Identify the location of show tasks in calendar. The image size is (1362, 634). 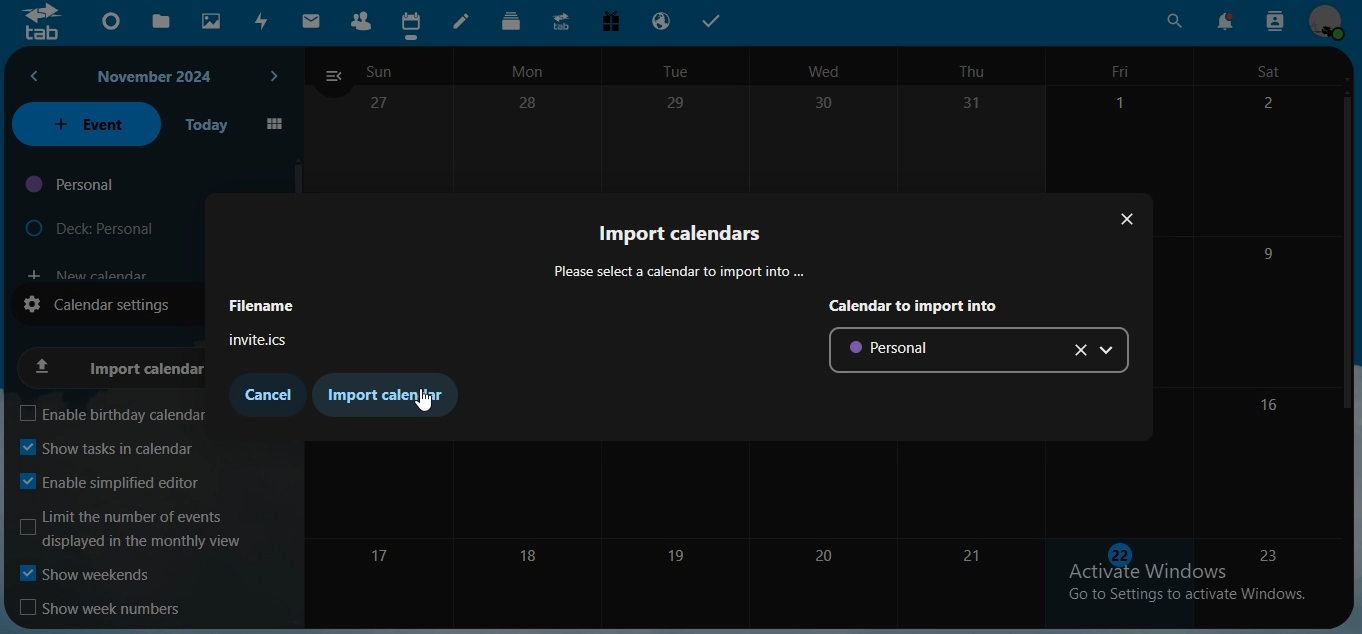
(107, 449).